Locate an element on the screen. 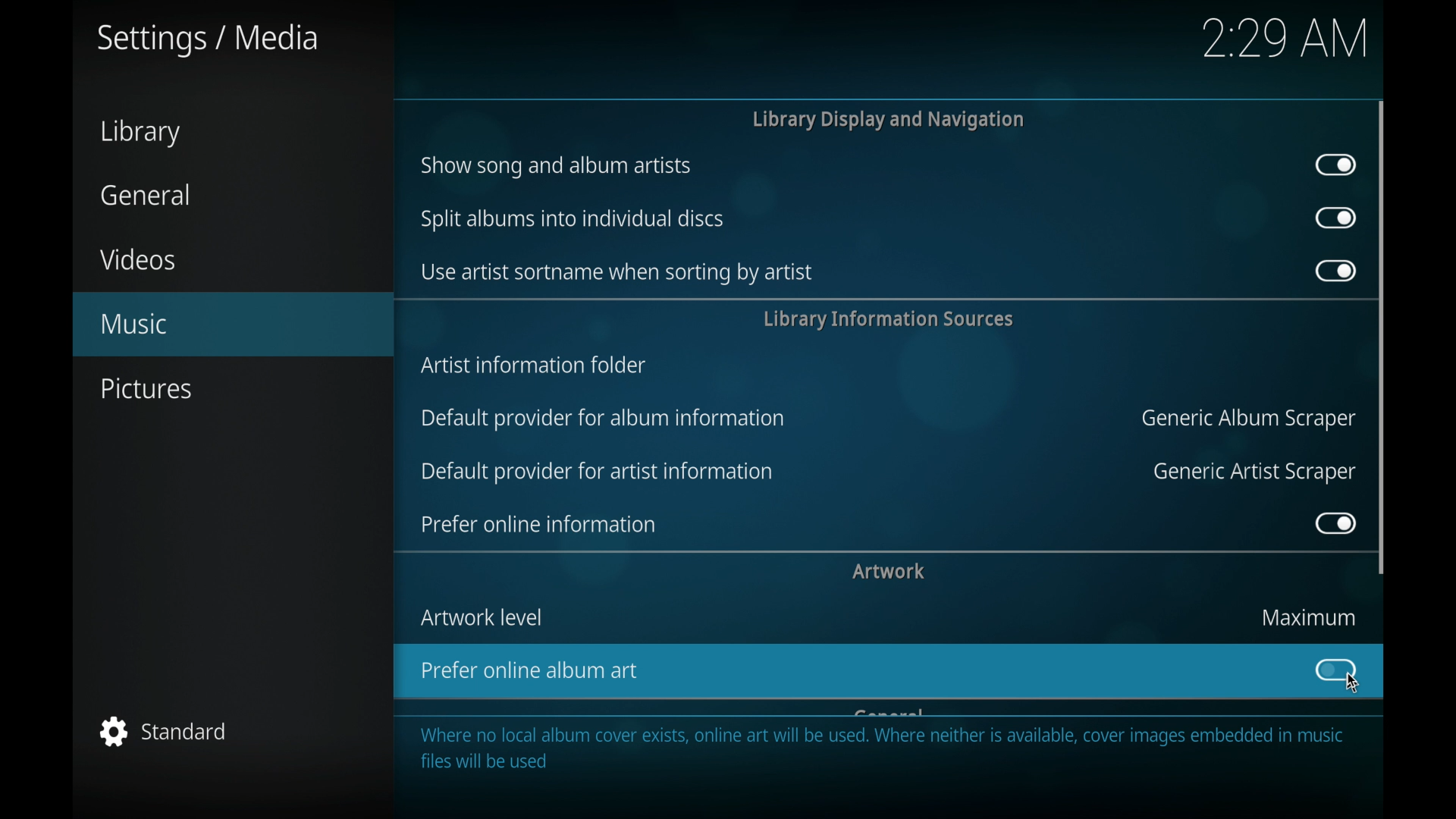 Image resolution: width=1456 pixels, height=819 pixels. 2:29 AM is located at coordinates (1288, 42).